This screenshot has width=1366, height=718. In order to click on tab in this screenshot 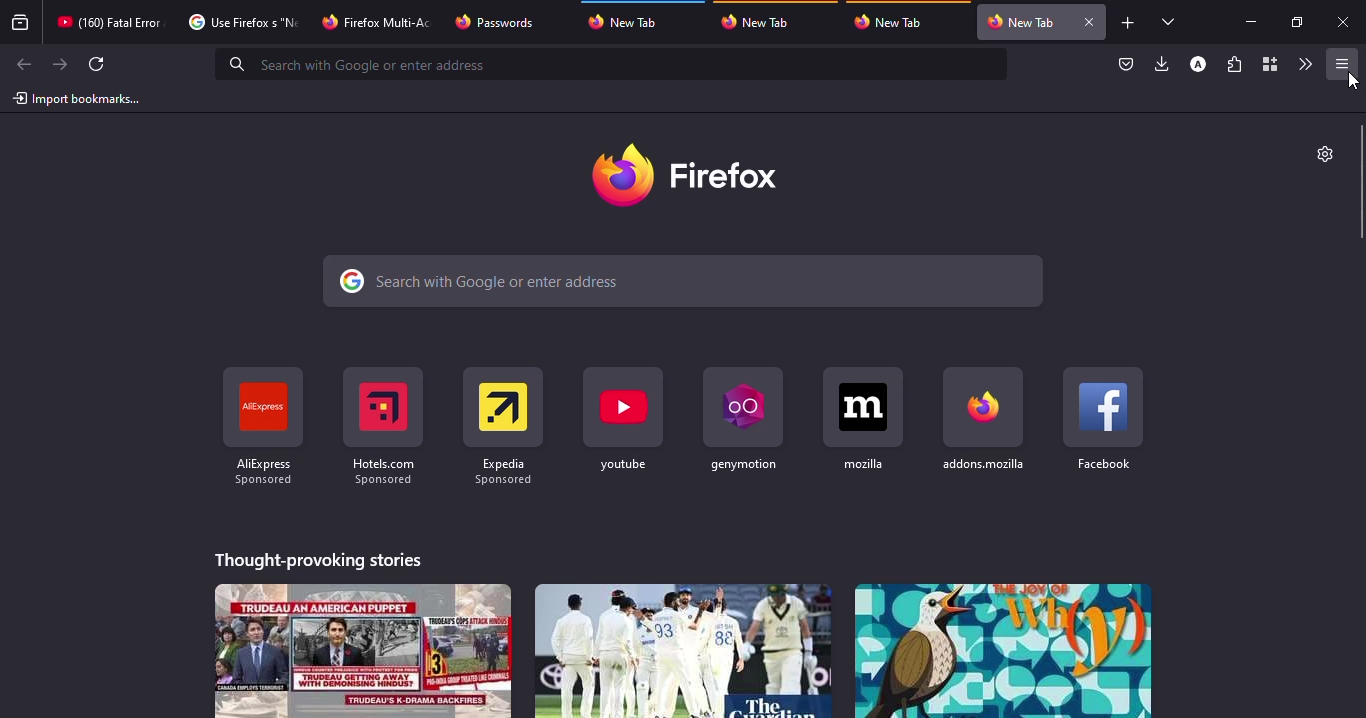, I will do `click(894, 22)`.